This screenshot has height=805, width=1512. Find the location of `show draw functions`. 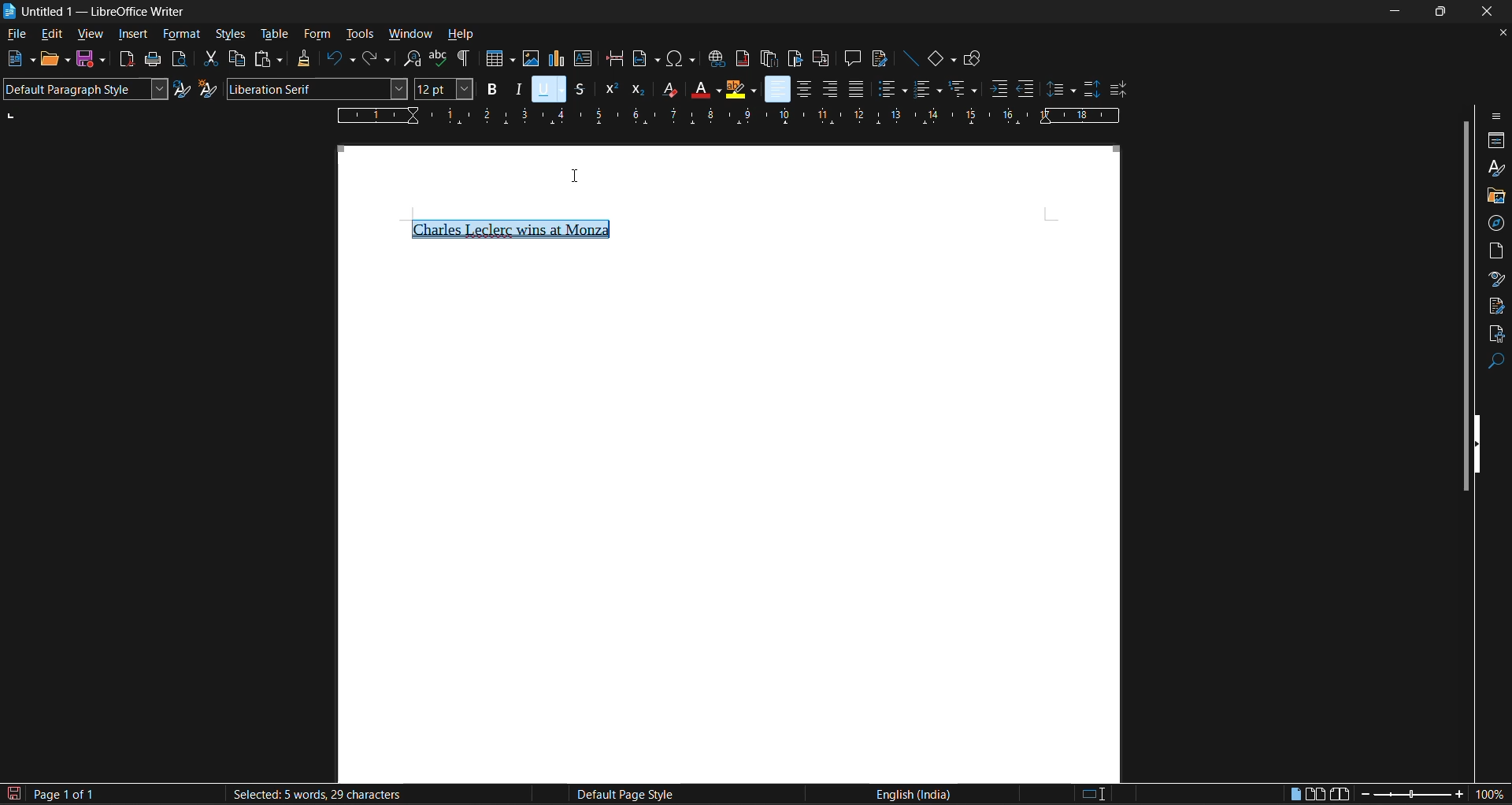

show draw functions is located at coordinates (975, 60).